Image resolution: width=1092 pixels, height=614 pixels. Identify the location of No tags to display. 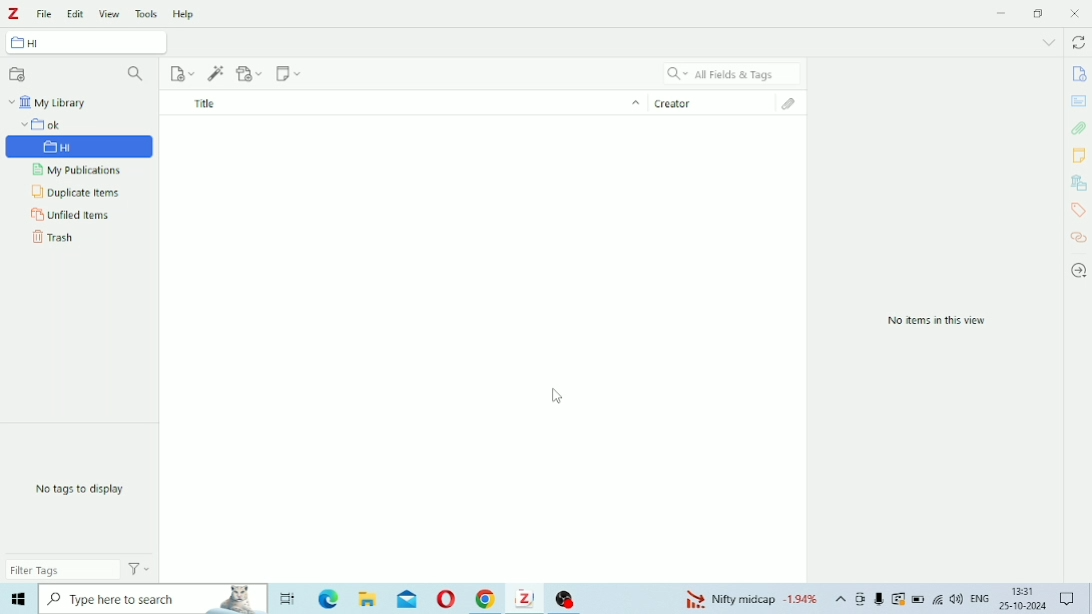
(83, 489).